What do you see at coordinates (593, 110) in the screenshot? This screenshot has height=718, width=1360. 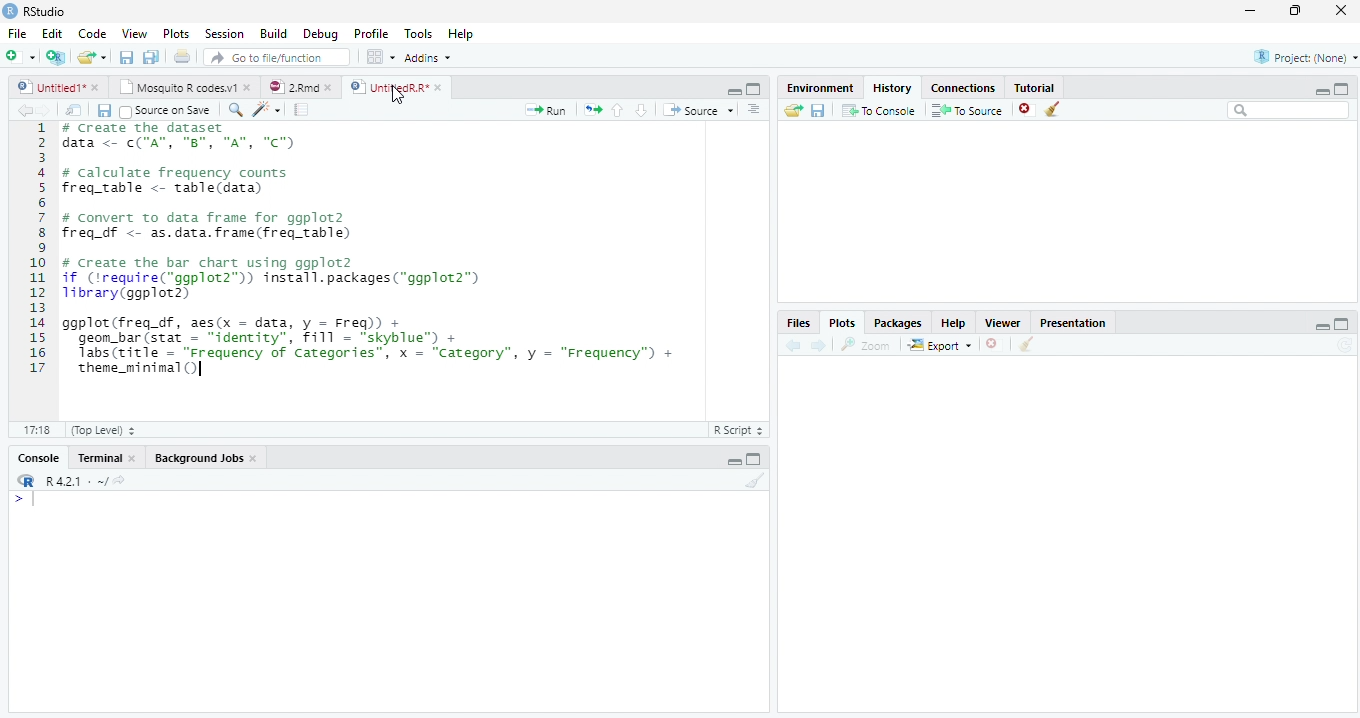 I see `Pages` at bounding box center [593, 110].